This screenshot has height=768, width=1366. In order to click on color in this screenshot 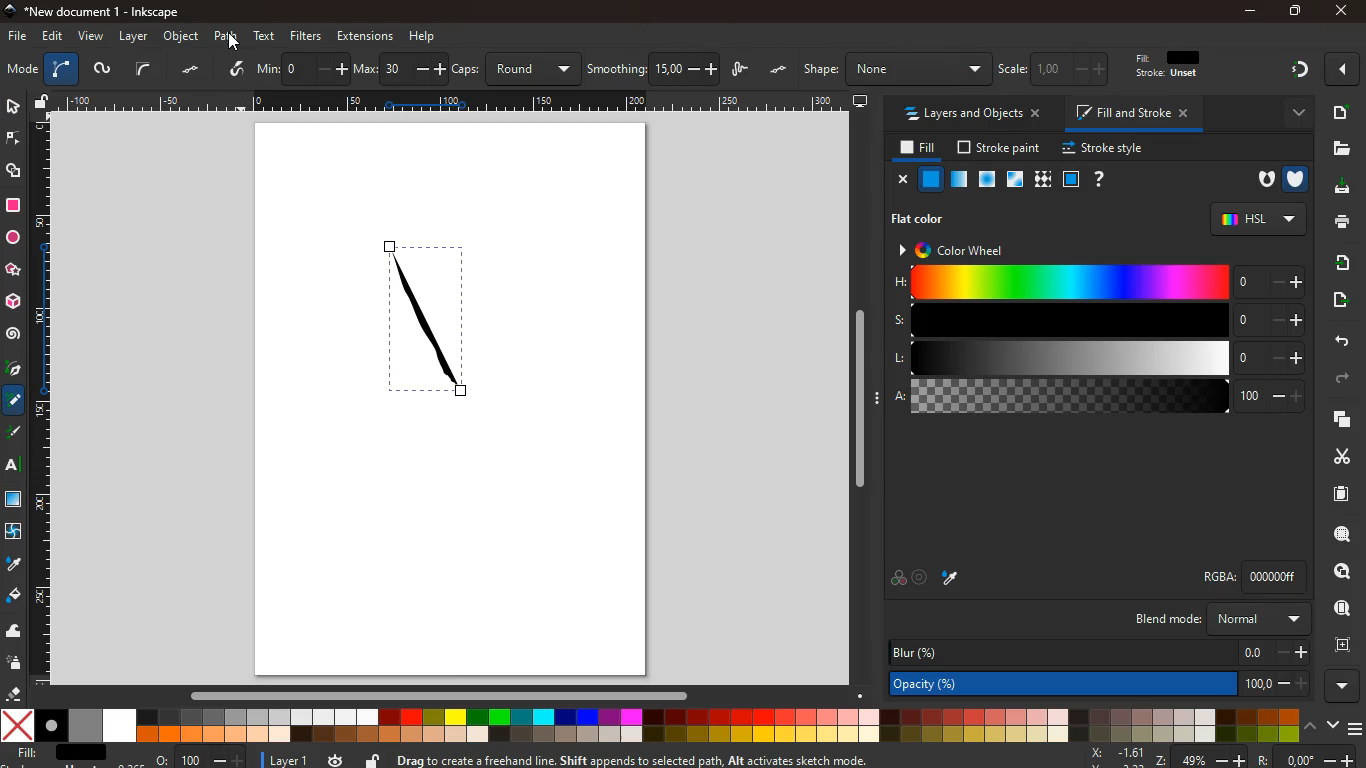, I will do `click(651, 727)`.